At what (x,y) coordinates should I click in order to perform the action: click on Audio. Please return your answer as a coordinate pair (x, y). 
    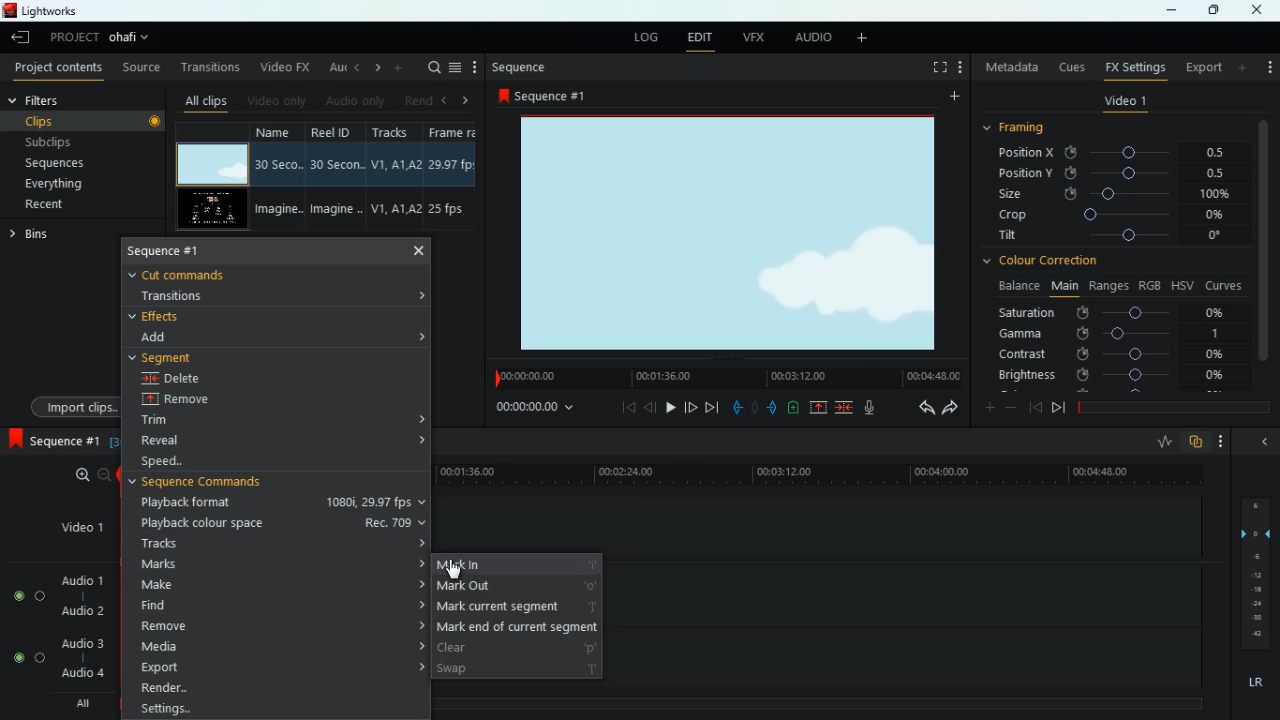
    Looking at the image, I should click on (24, 658).